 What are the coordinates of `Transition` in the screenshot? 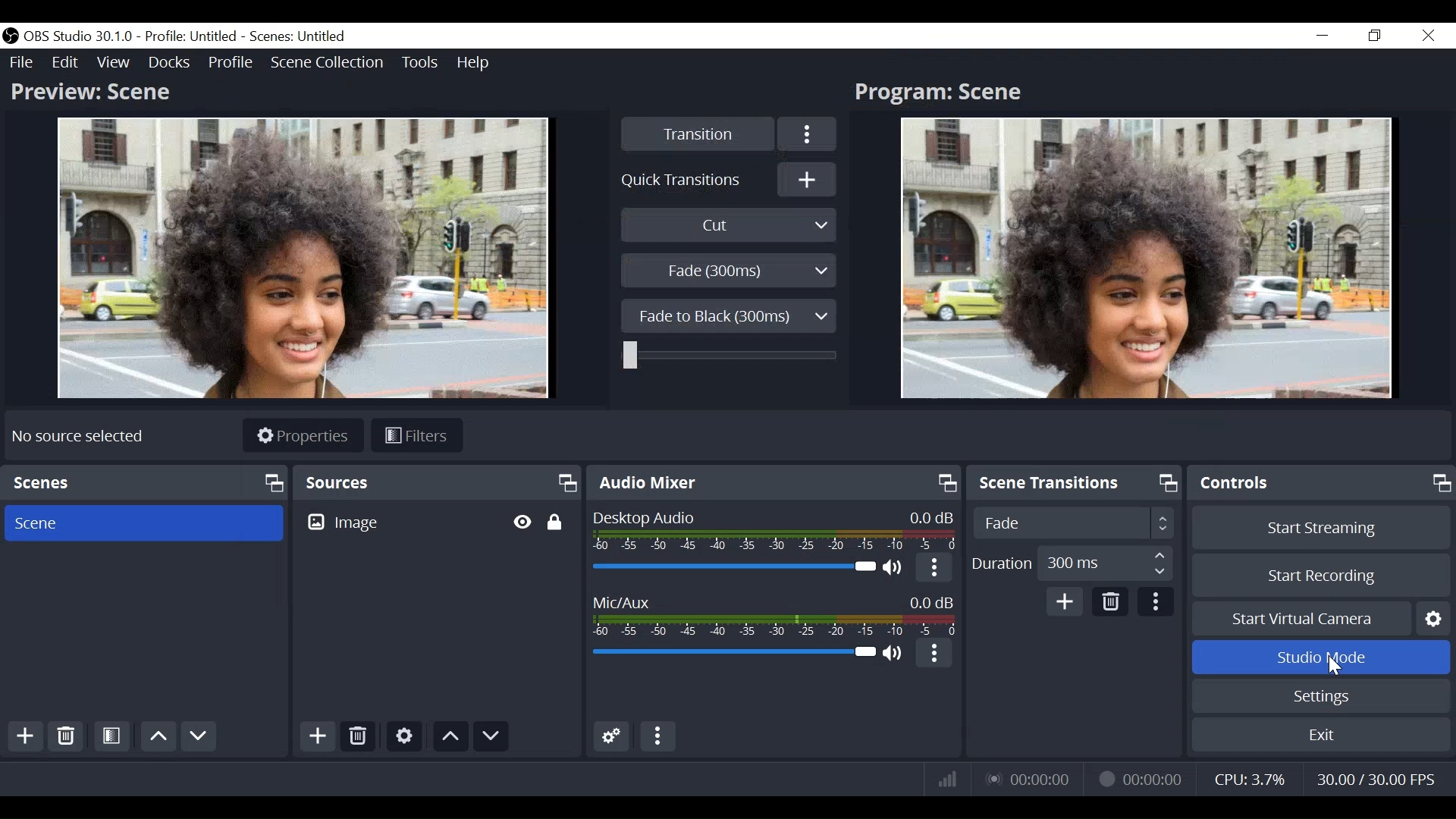 It's located at (694, 134).